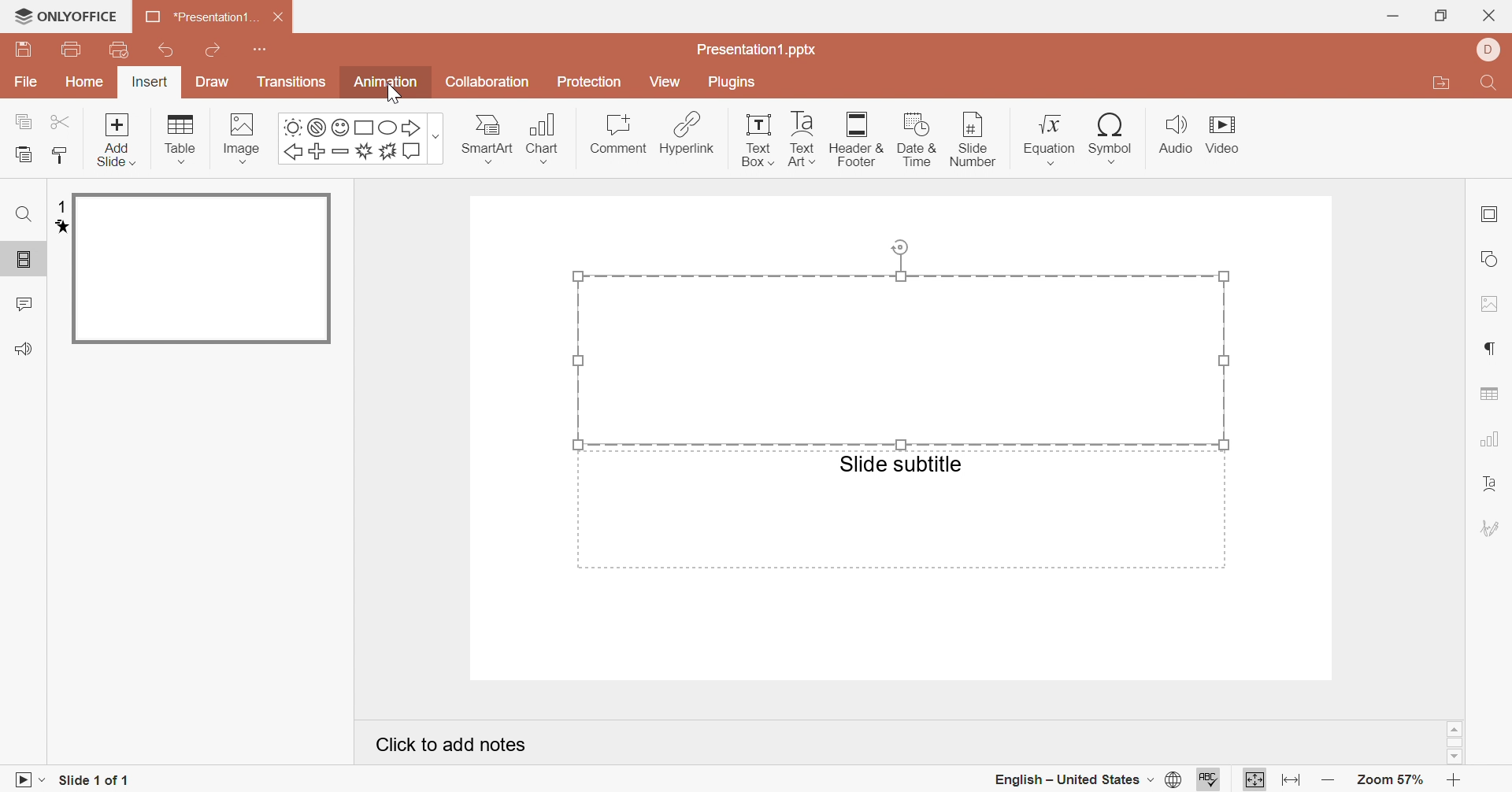  What do you see at coordinates (441, 138) in the screenshot?
I see `more shapes` at bounding box center [441, 138].